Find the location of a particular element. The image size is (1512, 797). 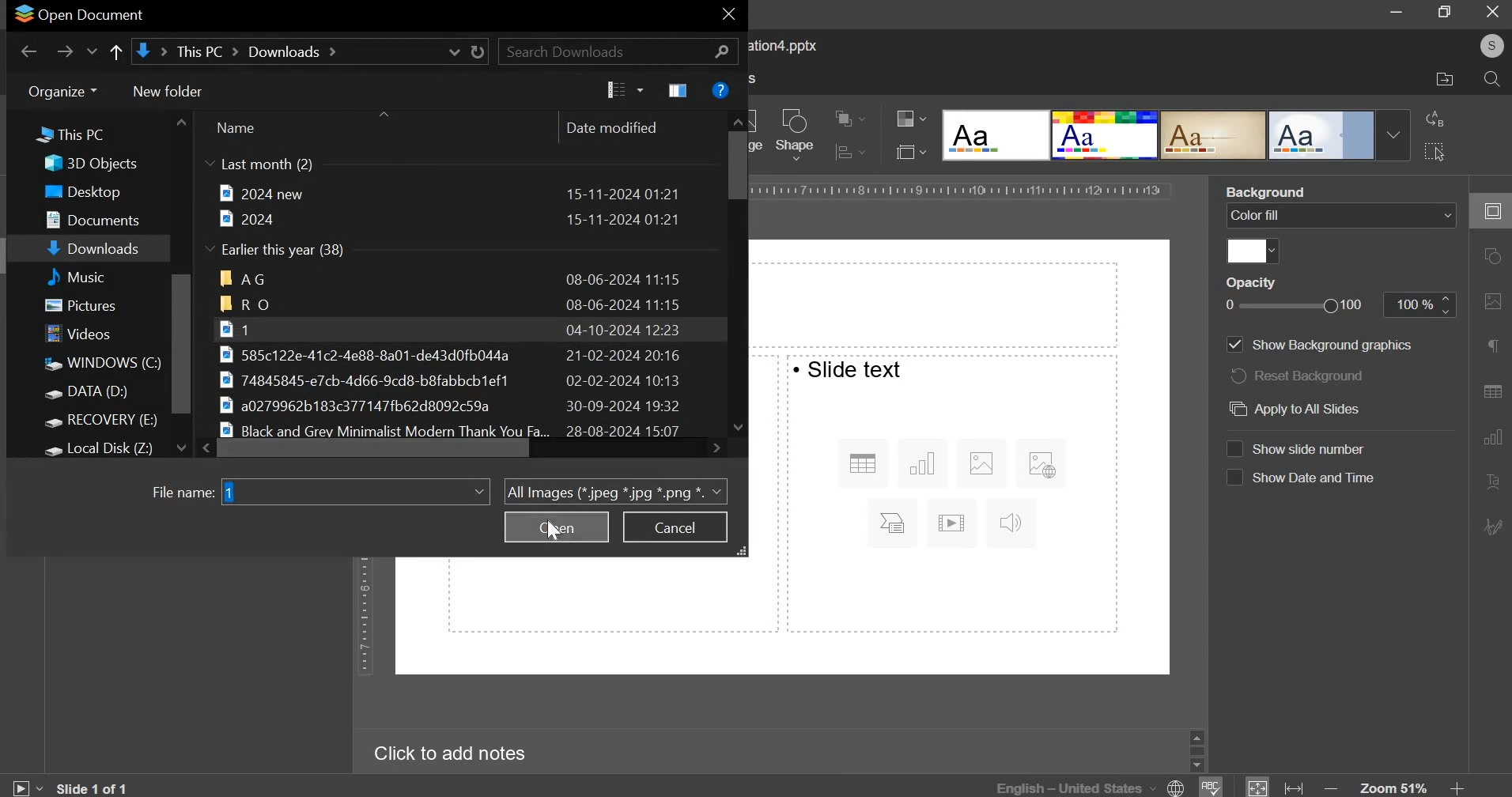

image file is located at coordinates (455, 354).